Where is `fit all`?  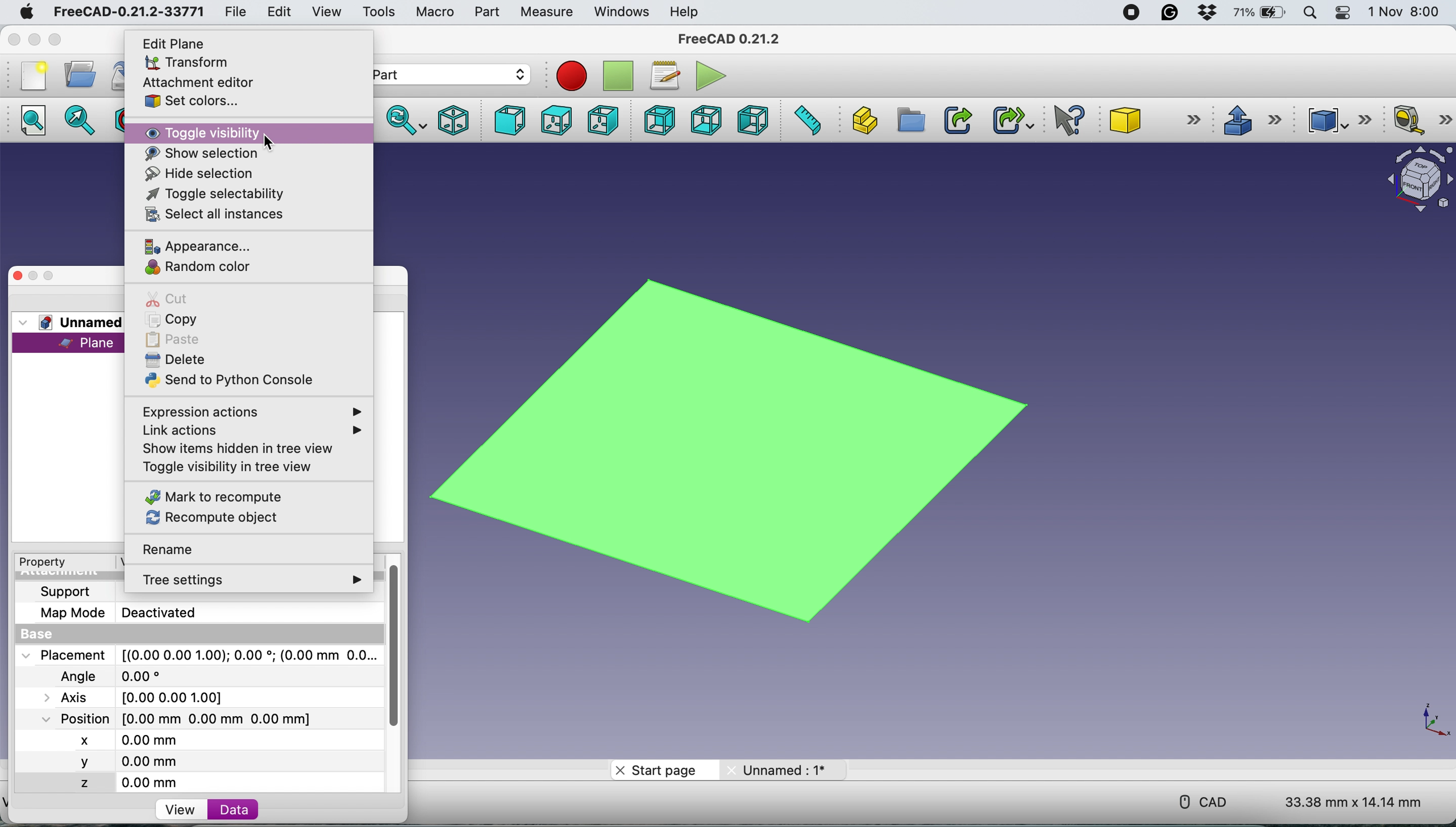 fit all is located at coordinates (34, 121).